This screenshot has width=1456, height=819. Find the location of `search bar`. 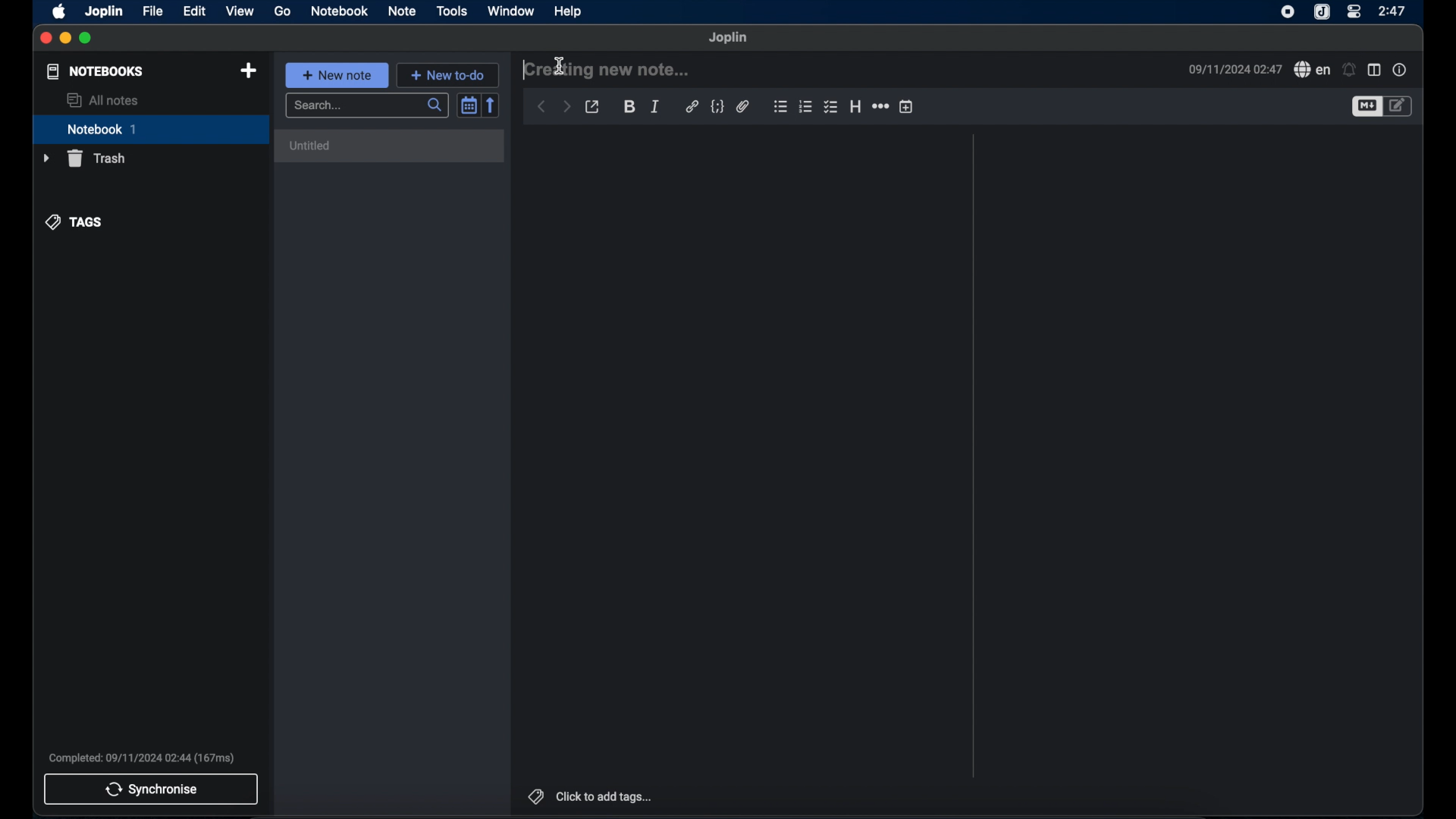

search bar is located at coordinates (368, 107).